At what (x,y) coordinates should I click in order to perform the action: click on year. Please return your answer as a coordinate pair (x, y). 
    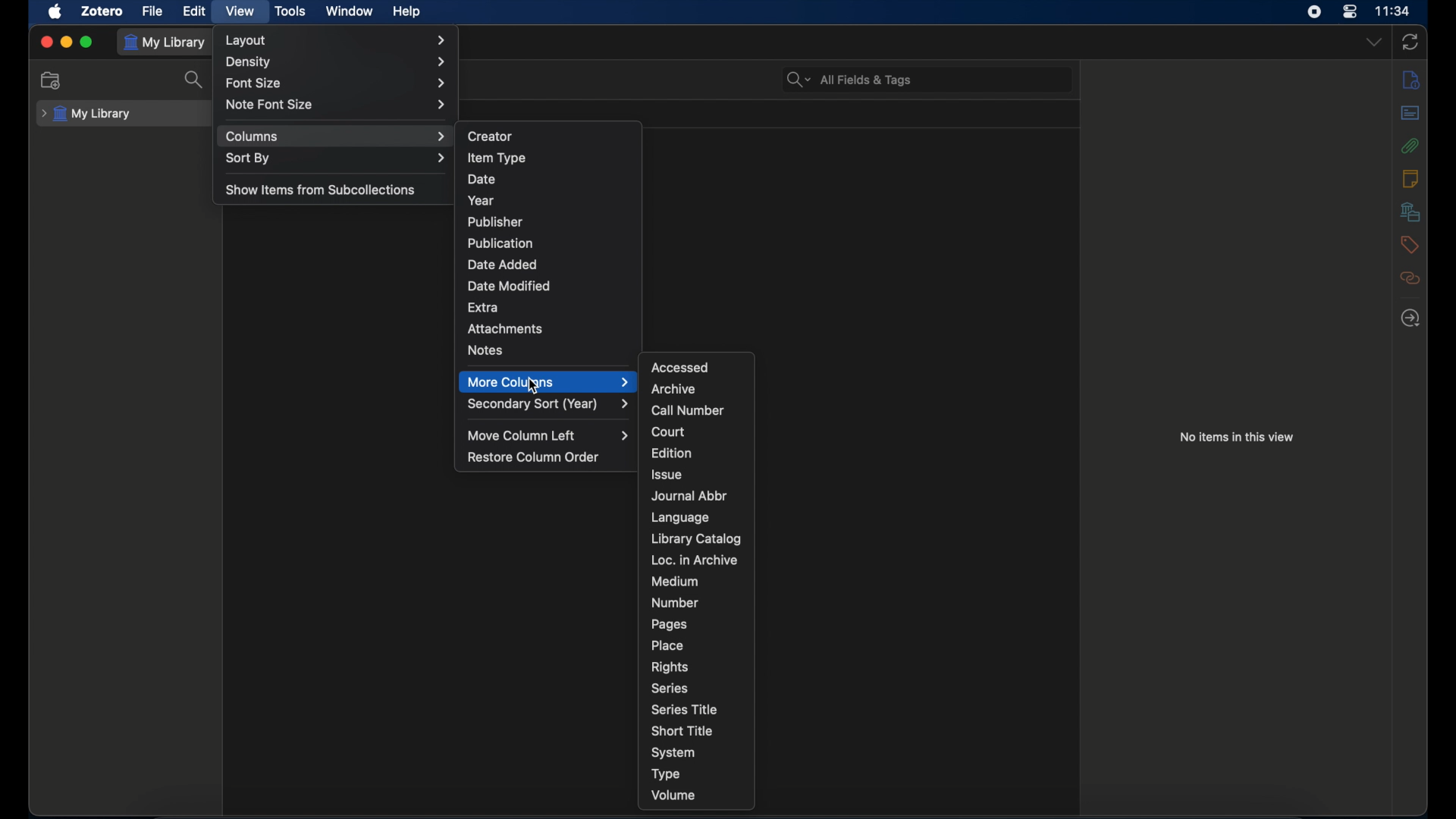
    Looking at the image, I should click on (482, 200).